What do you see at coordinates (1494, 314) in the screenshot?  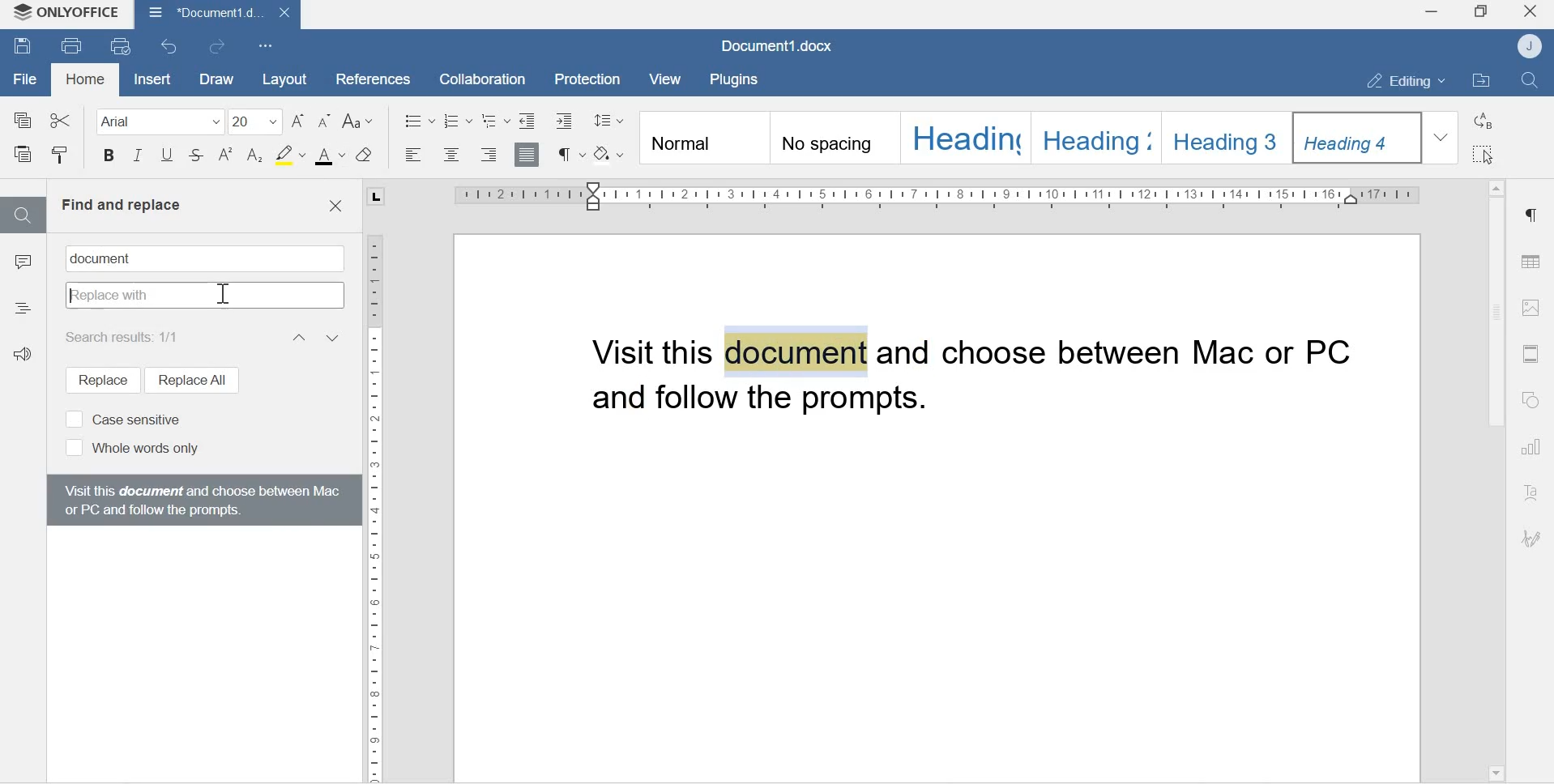 I see `Scrollbar` at bounding box center [1494, 314].